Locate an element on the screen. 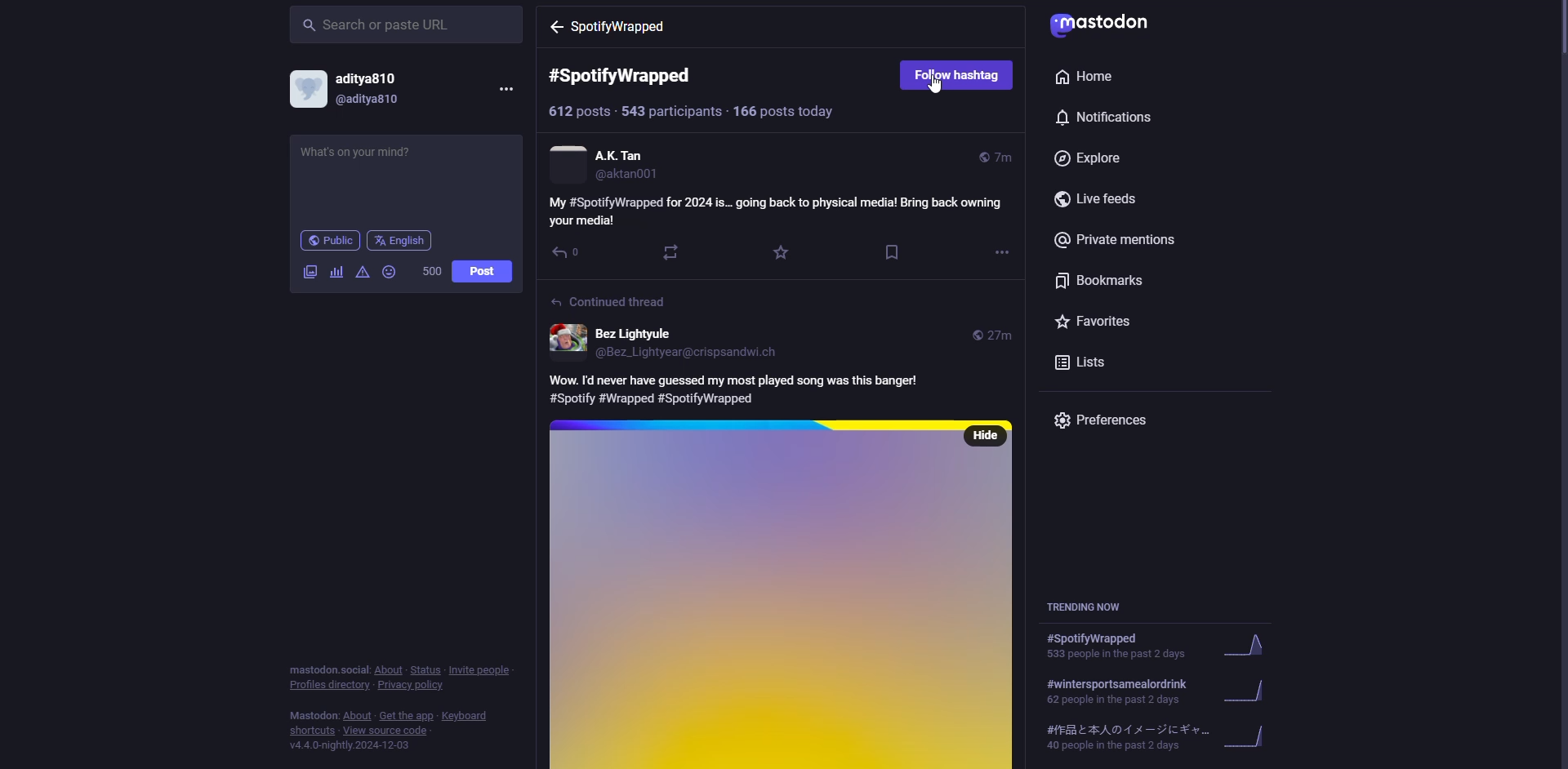  posts is located at coordinates (785, 113).